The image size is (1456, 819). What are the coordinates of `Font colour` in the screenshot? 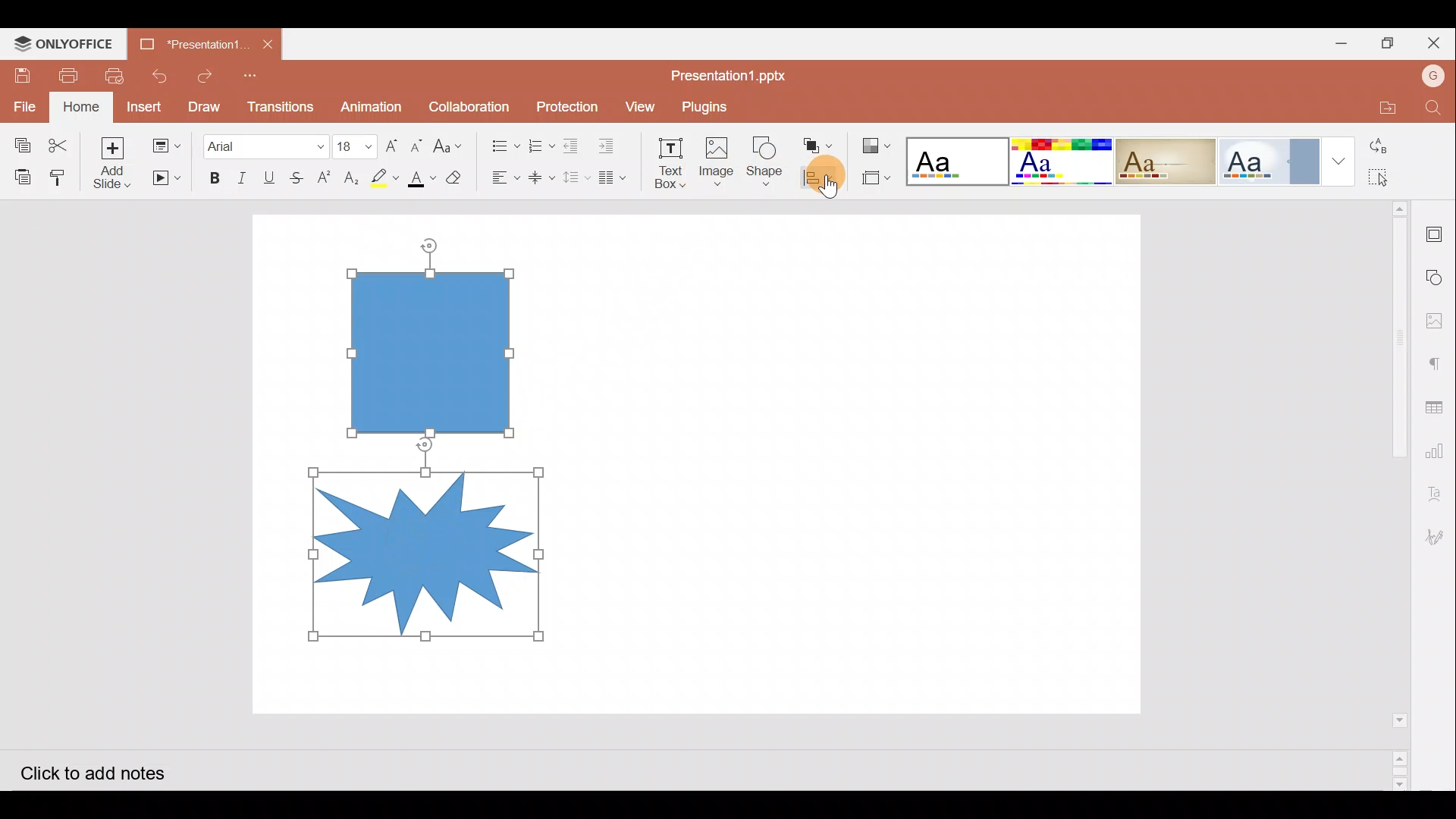 It's located at (420, 178).